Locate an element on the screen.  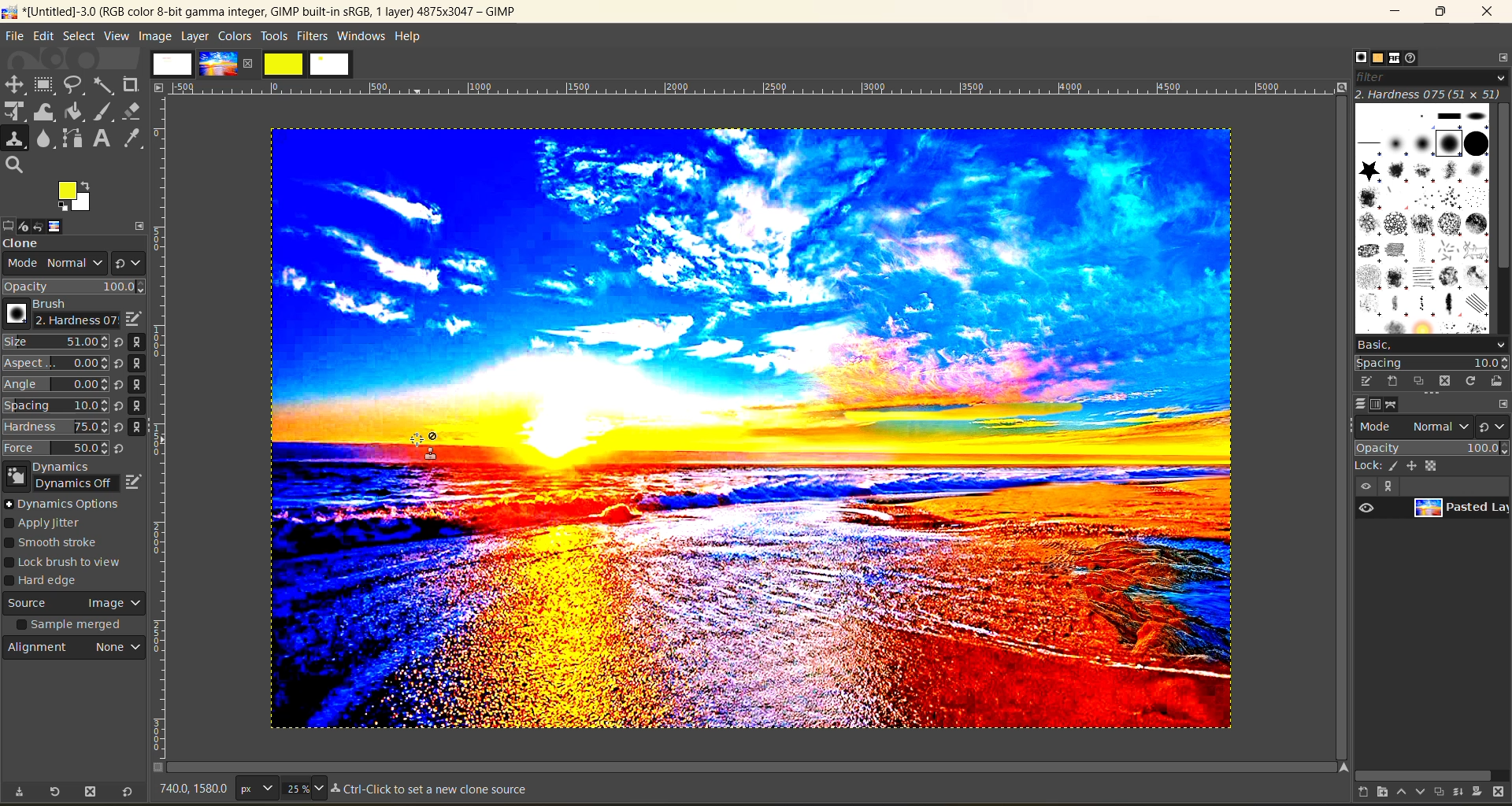
erase is located at coordinates (132, 111).